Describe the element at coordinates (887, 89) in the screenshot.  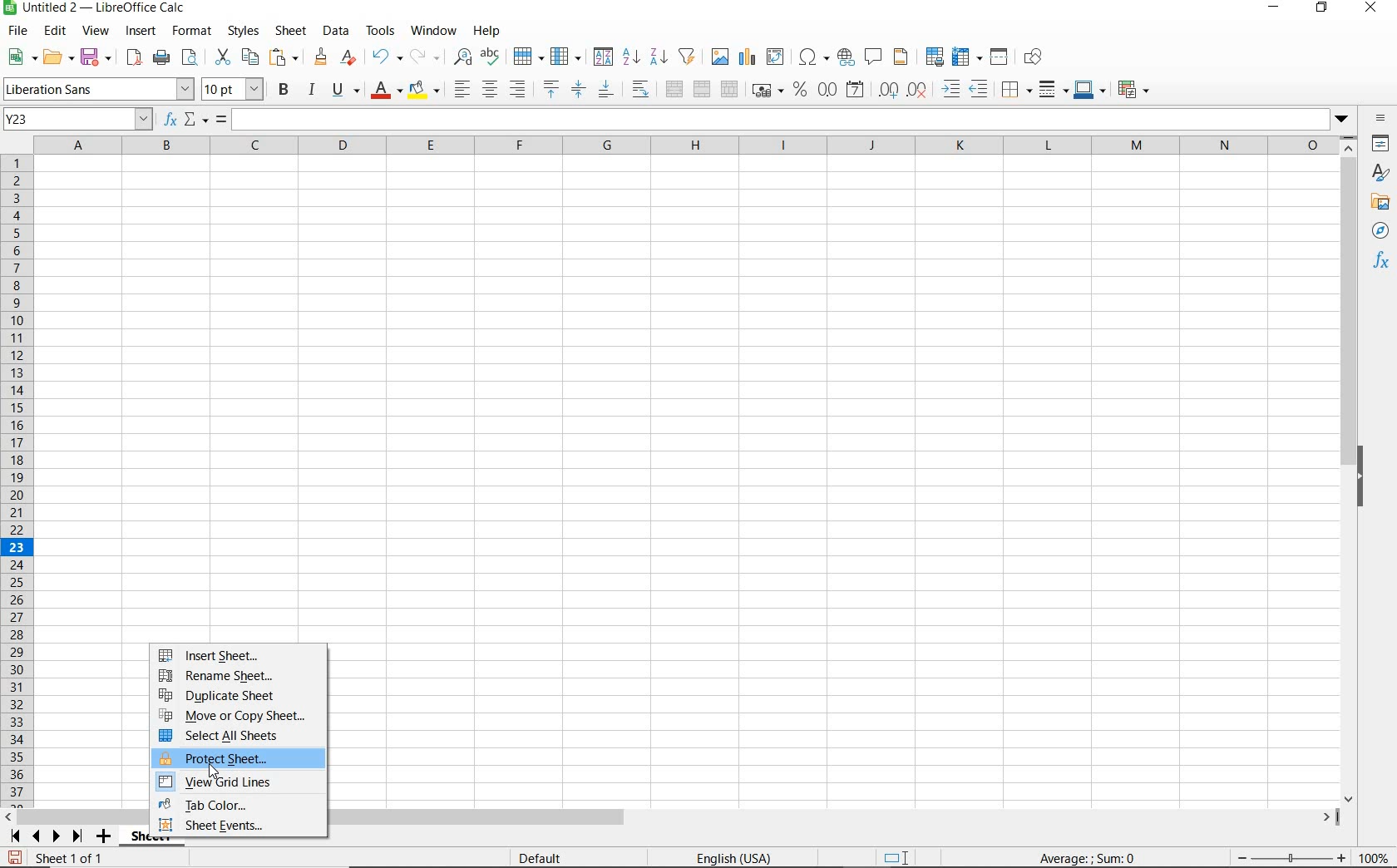
I see `ADD DECIMAL PLACE` at that location.